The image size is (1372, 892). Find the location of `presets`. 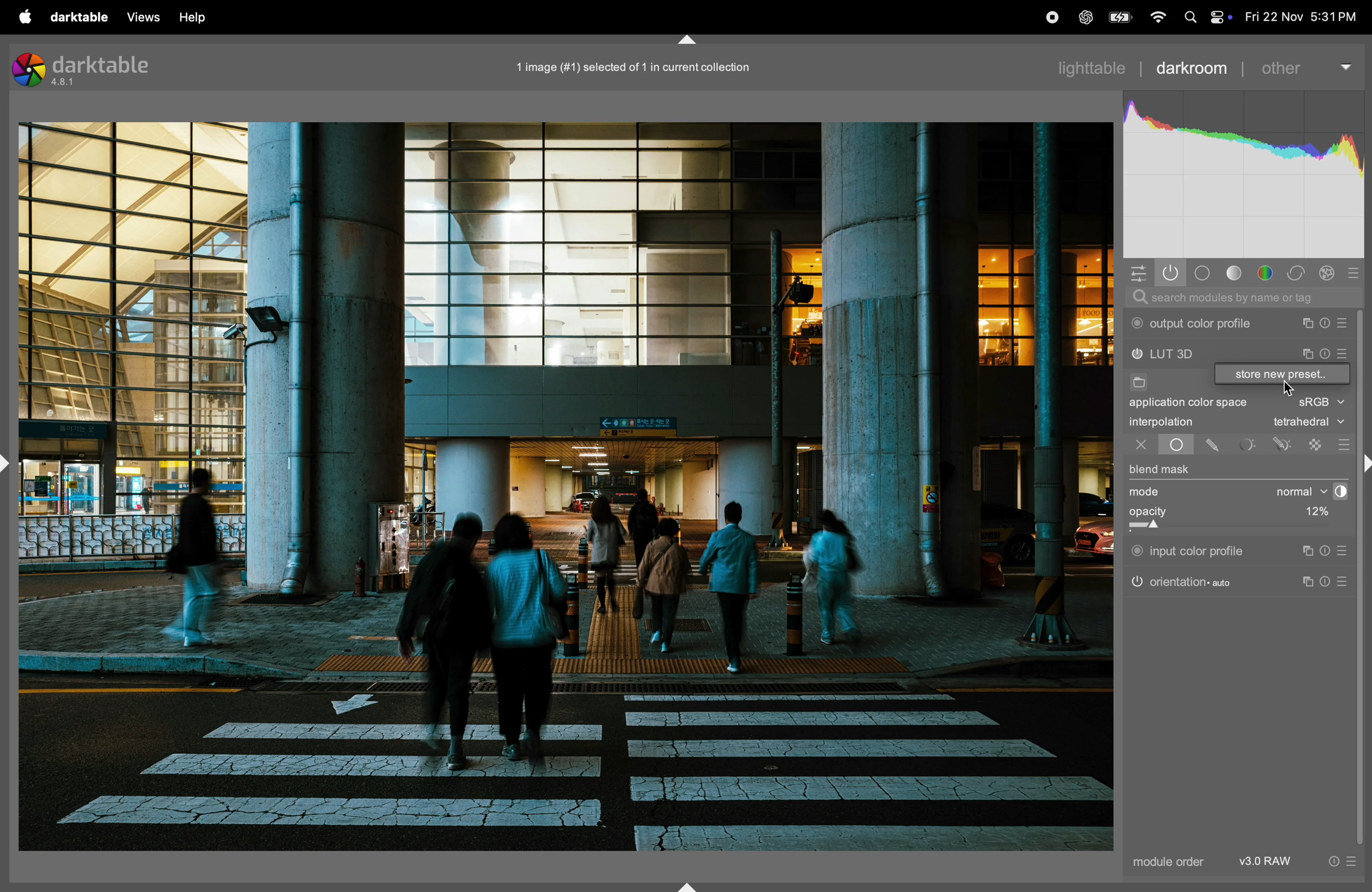

presets is located at coordinates (1343, 444).